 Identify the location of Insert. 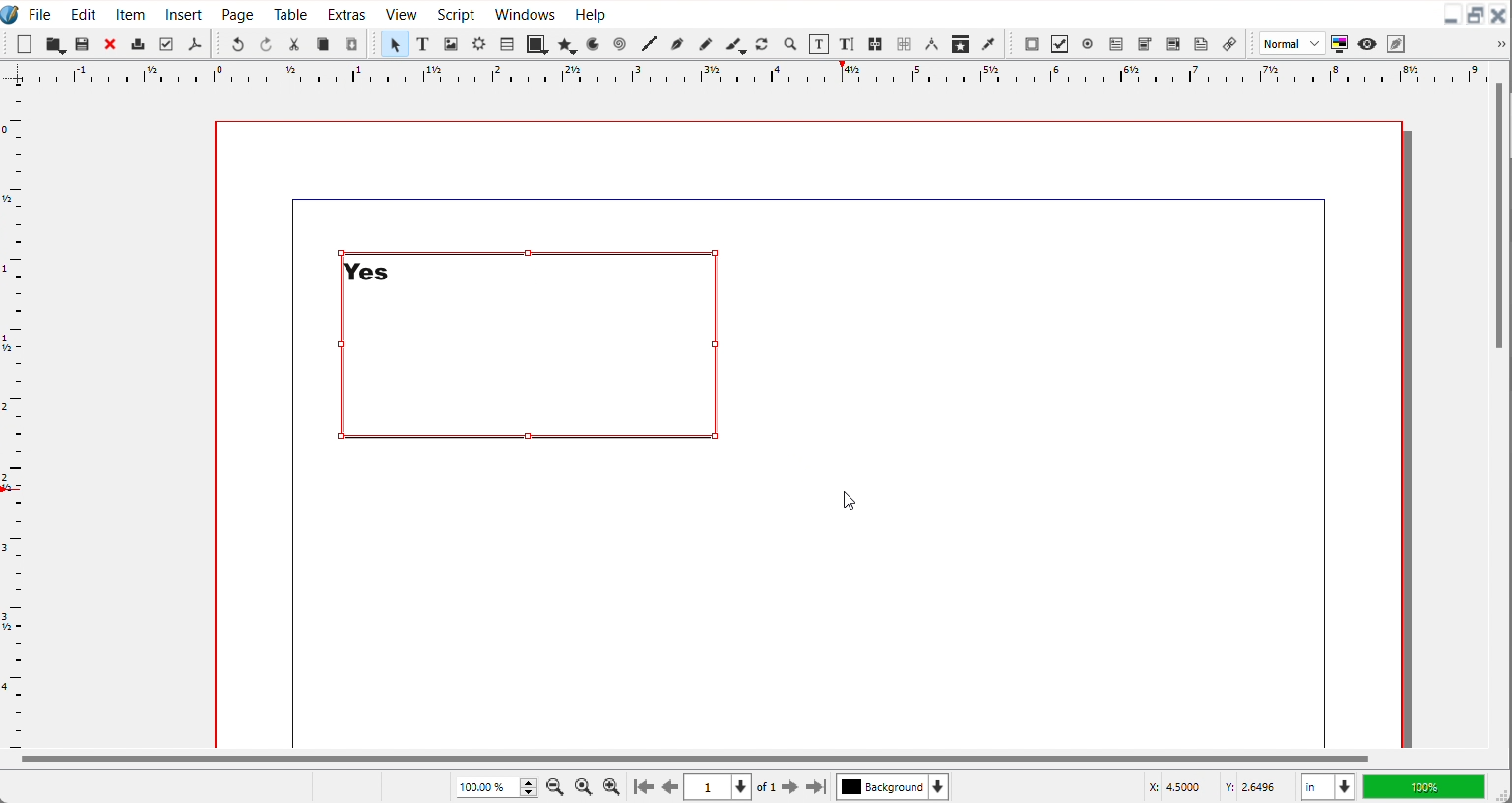
(185, 13).